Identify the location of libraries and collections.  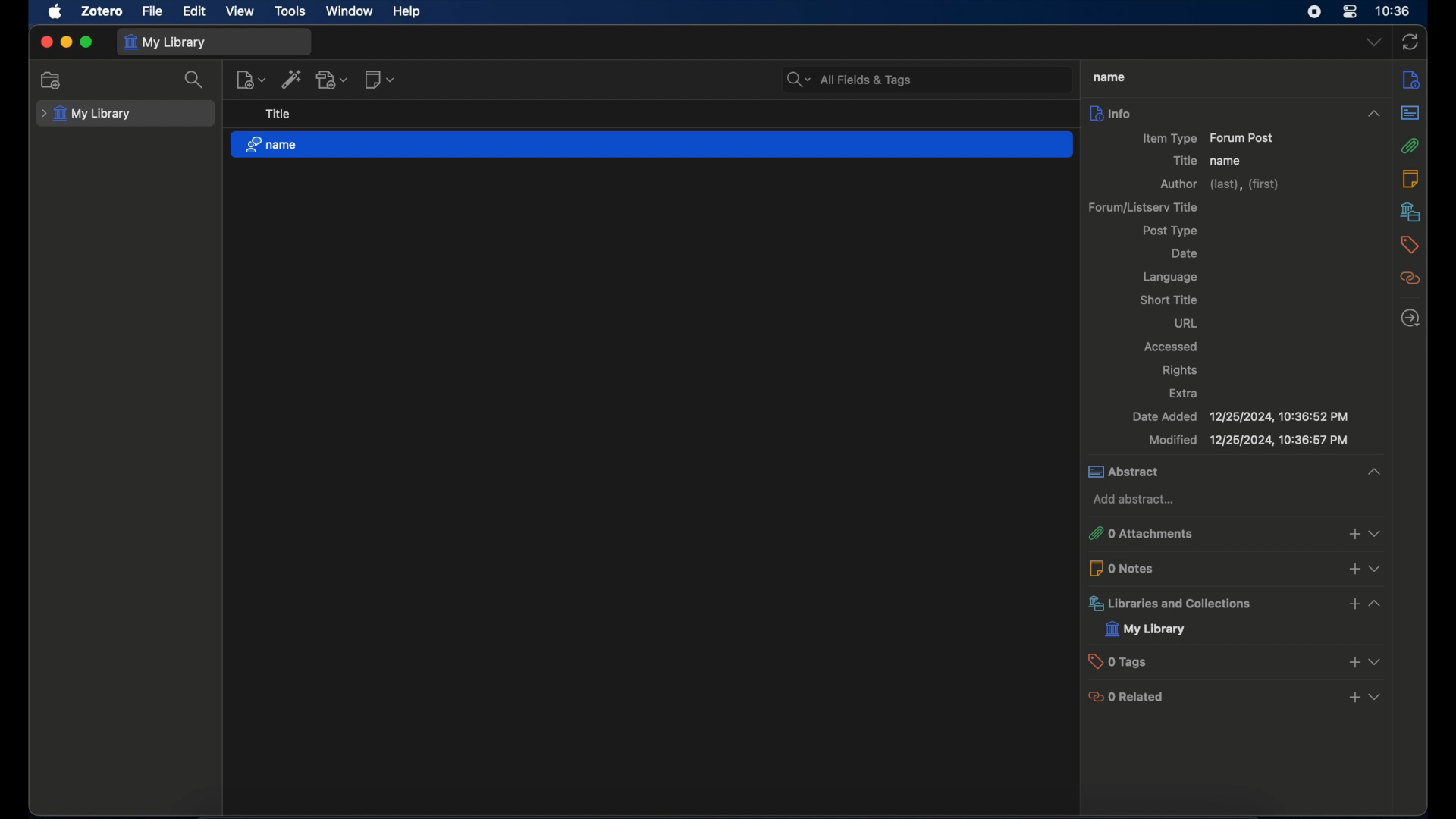
(1234, 603).